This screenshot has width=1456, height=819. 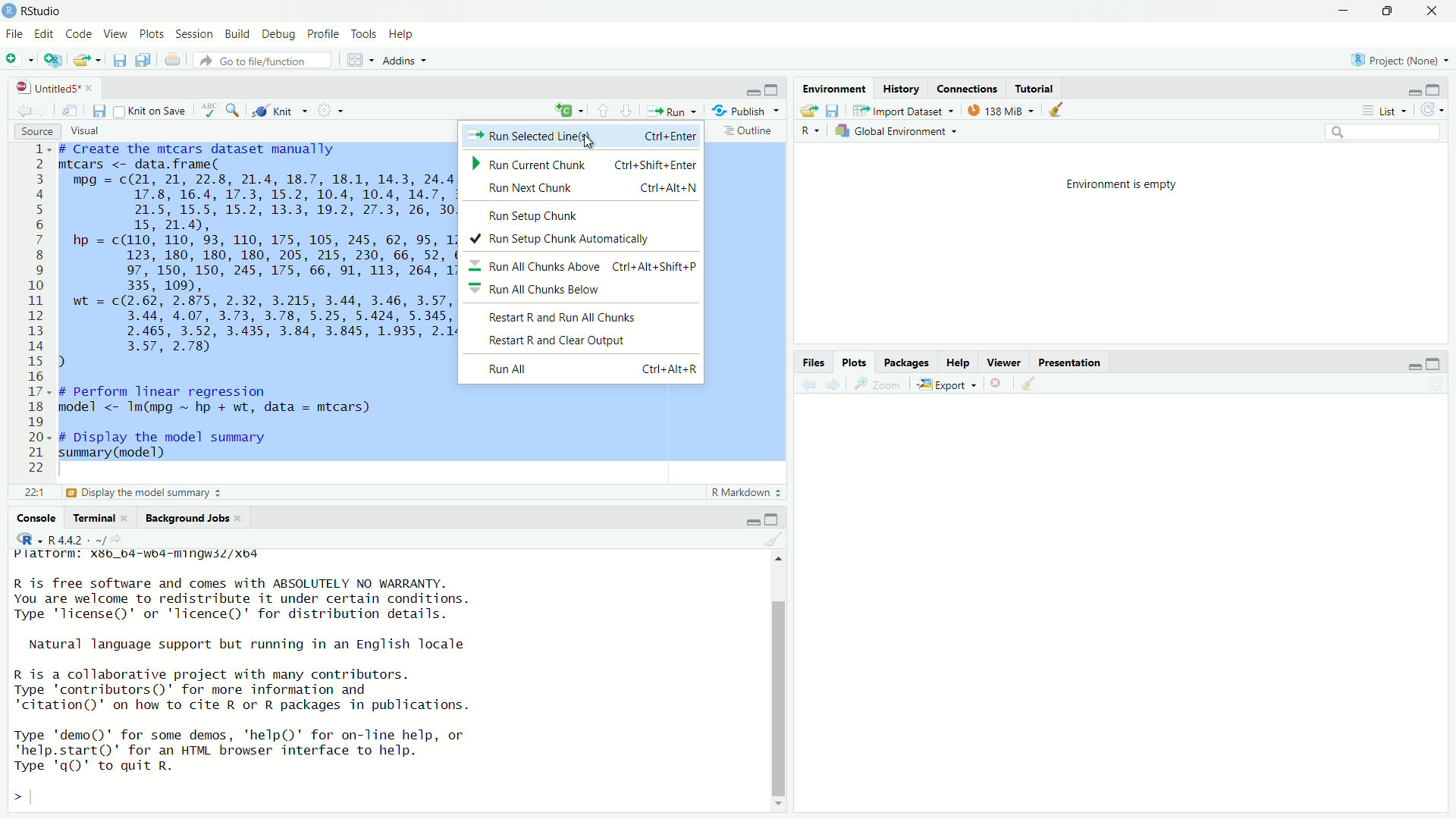 What do you see at coordinates (1030, 384) in the screenshot?
I see `clear all plots` at bounding box center [1030, 384].